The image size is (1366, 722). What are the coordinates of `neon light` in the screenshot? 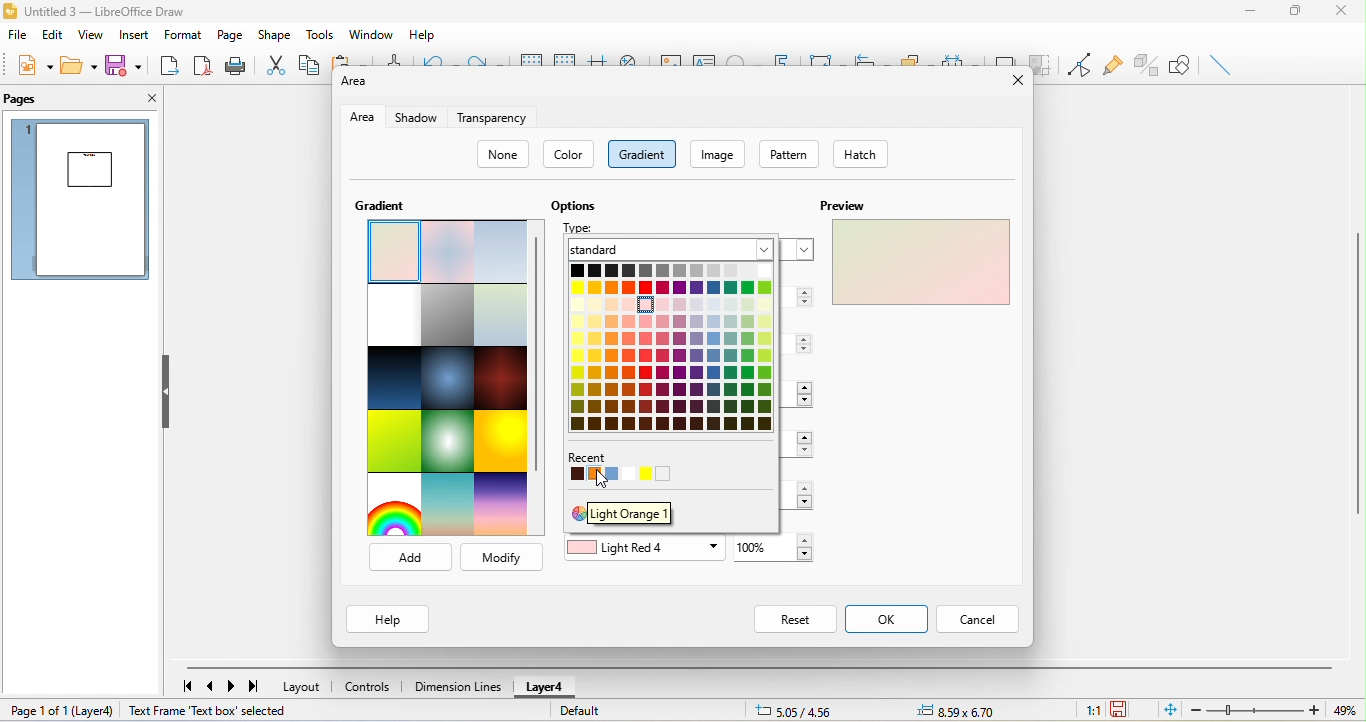 It's located at (447, 440).